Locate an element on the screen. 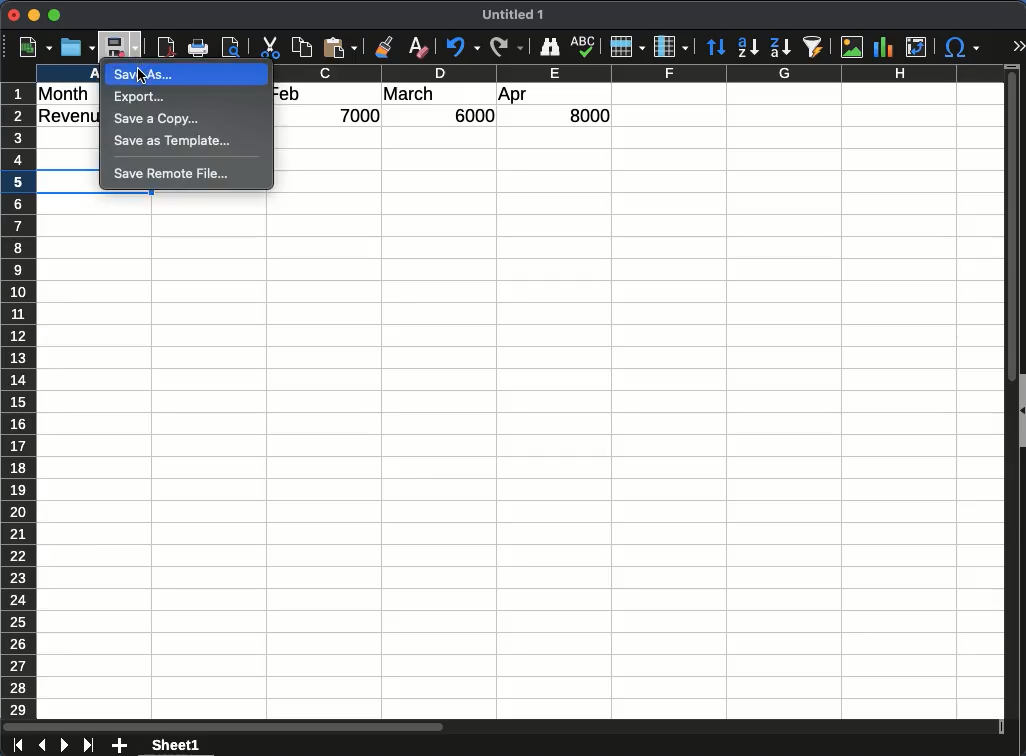 The width and height of the screenshot is (1026, 756). pdf reader is located at coordinates (166, 48).